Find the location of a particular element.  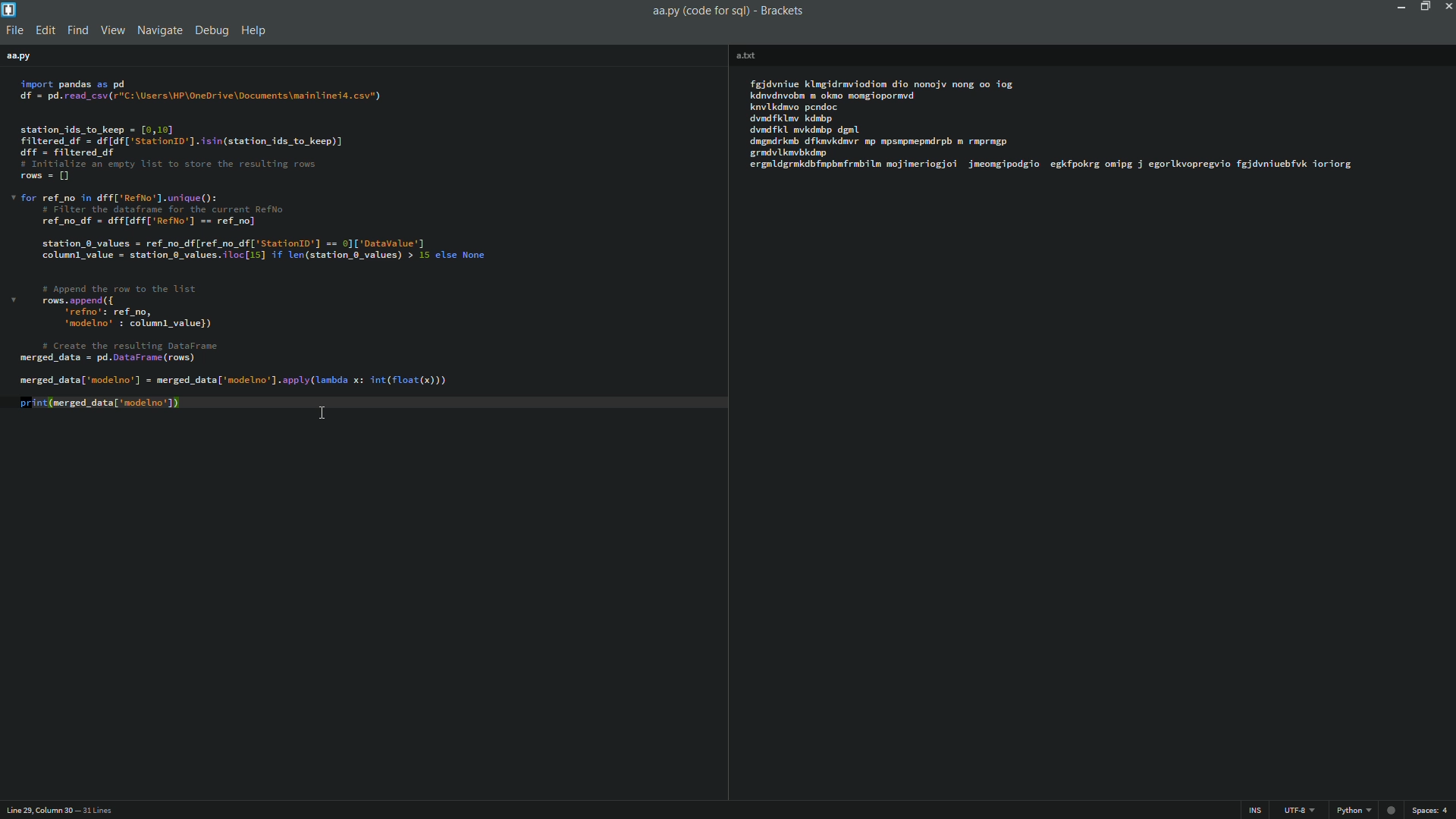

file encoding is located at coordinates (1295, 809).